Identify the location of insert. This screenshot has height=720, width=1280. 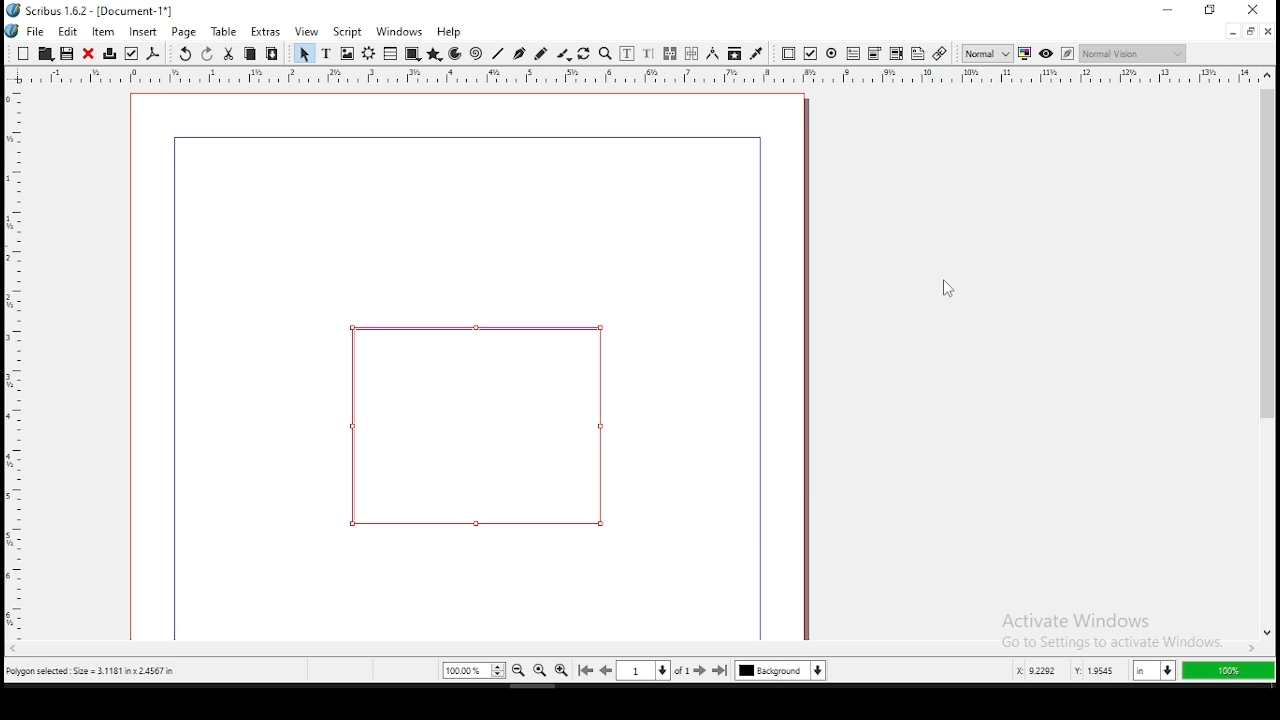
(144, 32).